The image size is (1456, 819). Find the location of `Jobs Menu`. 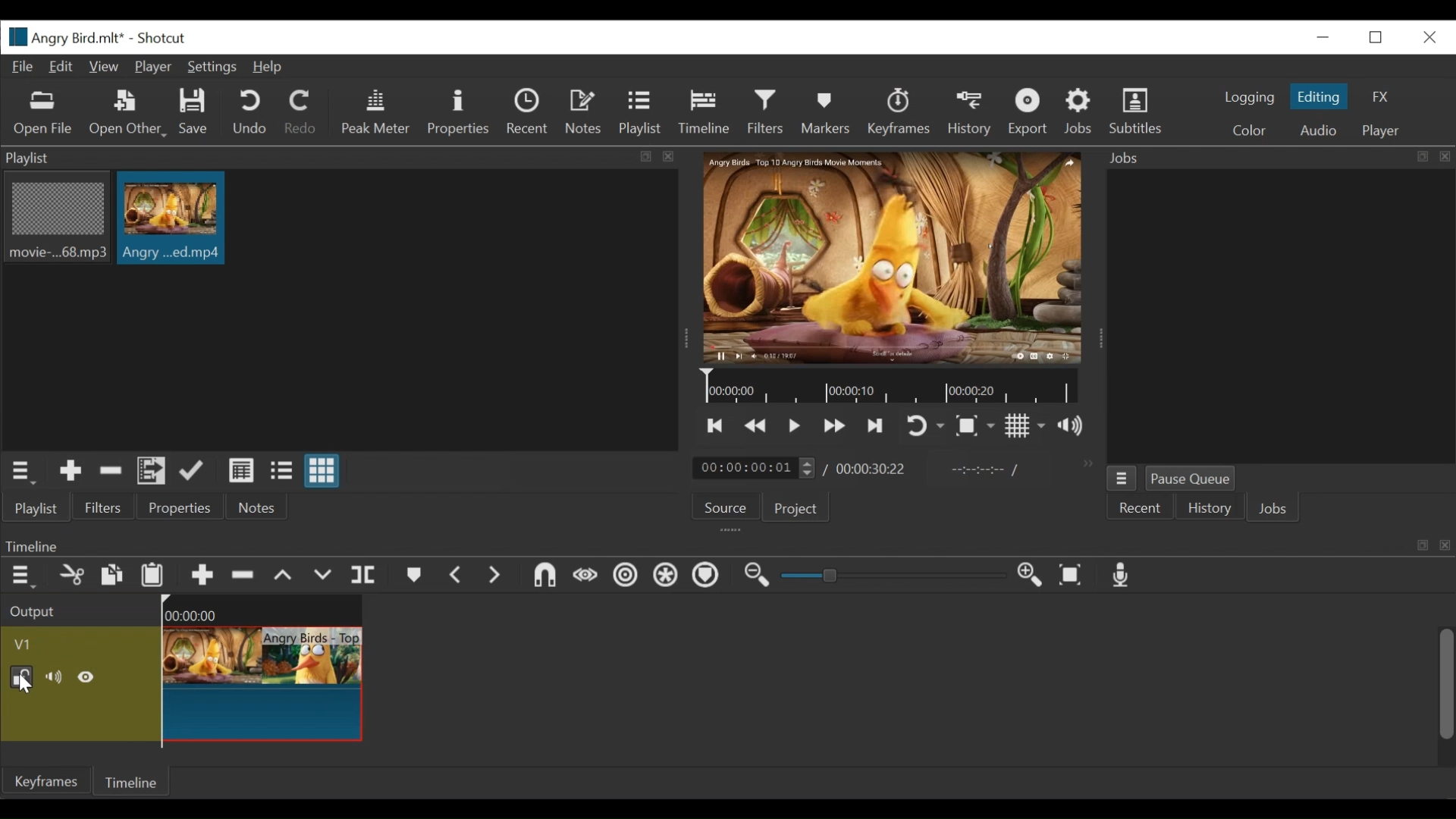

Jobs Menu is located at coordinates (1121, 479).